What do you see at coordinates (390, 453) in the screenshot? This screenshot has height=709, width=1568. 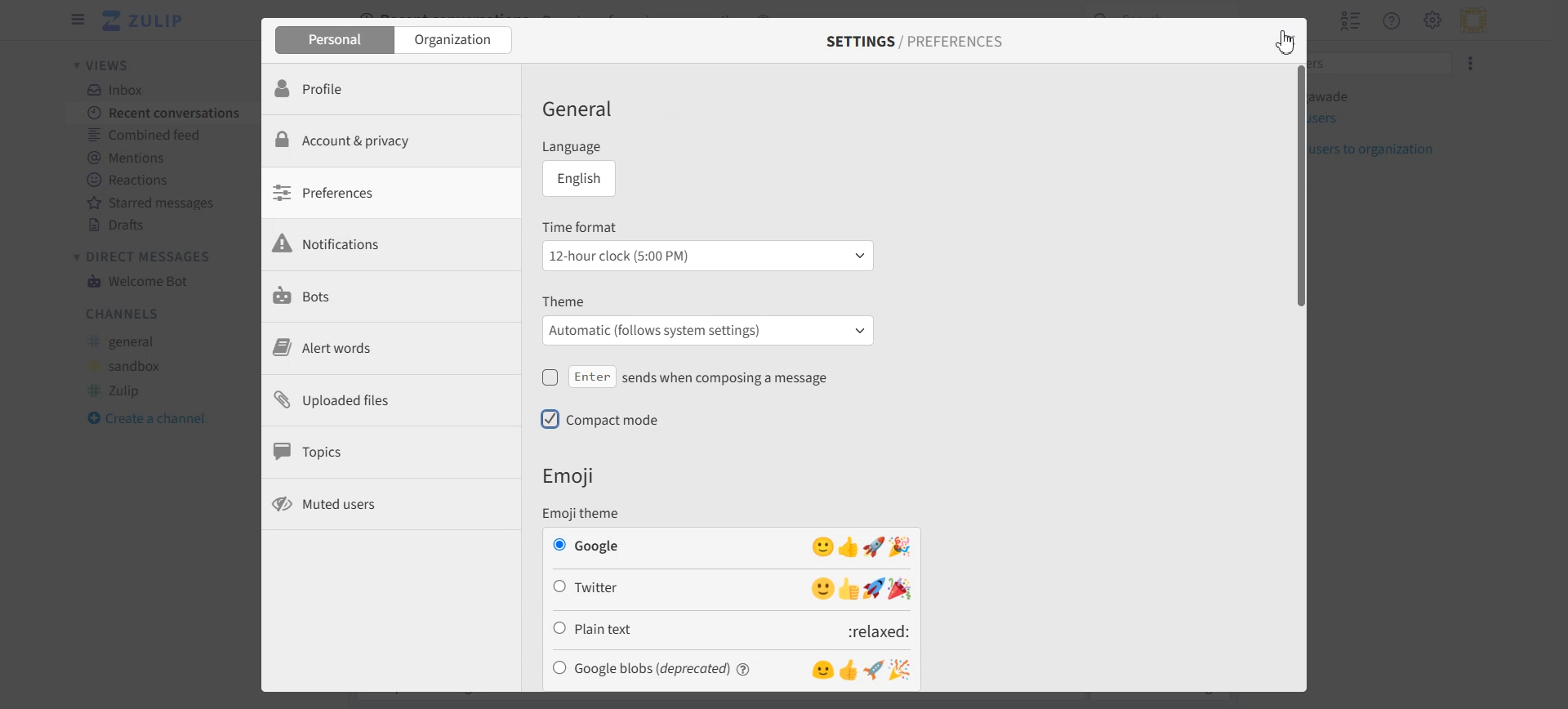 I see `Topics` at bounding box center [390, 453].